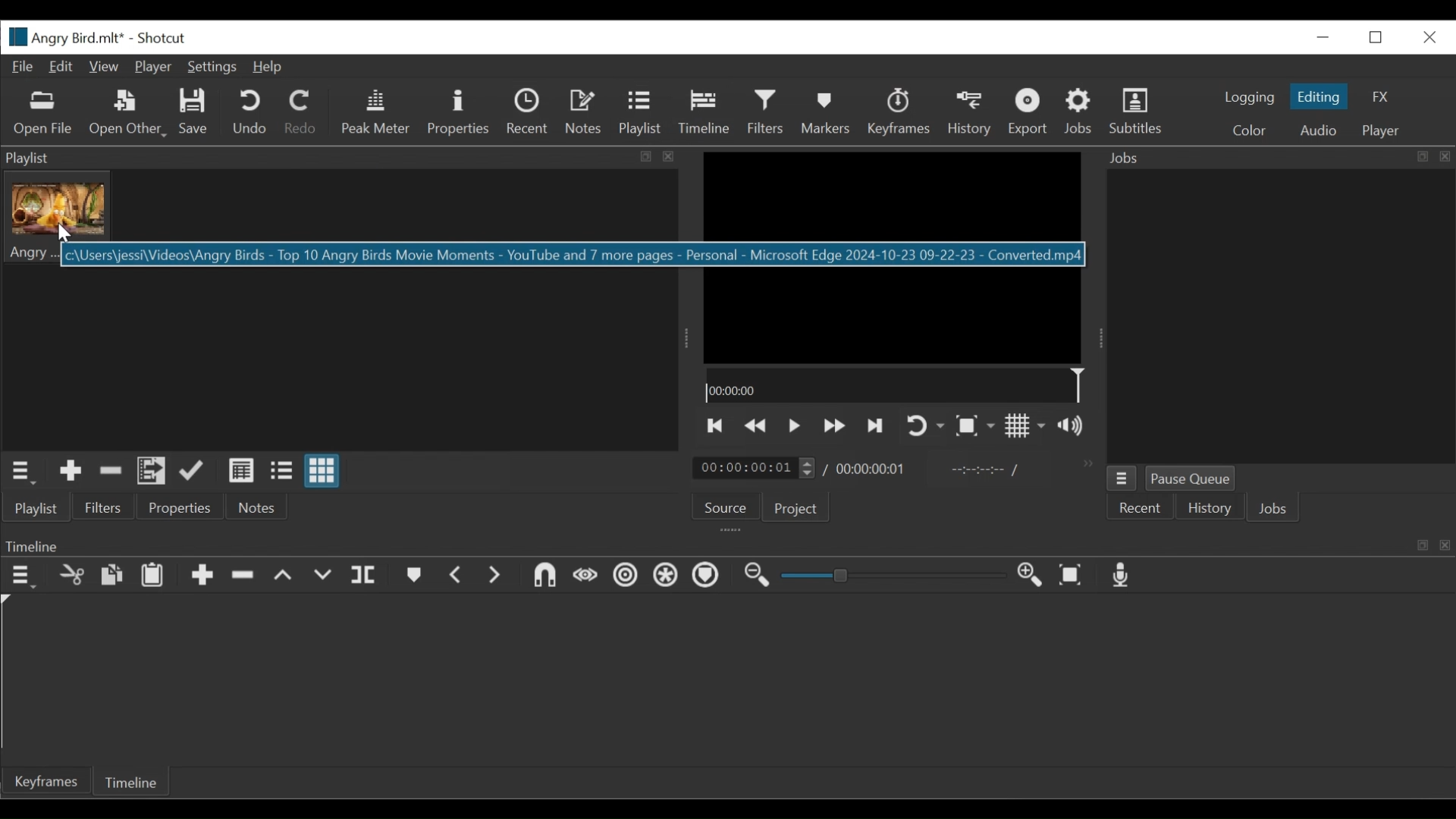 The image size is (1456, 819). Describe the element at coordinates (21, 67) in the screenshot. I see `File` at that location.